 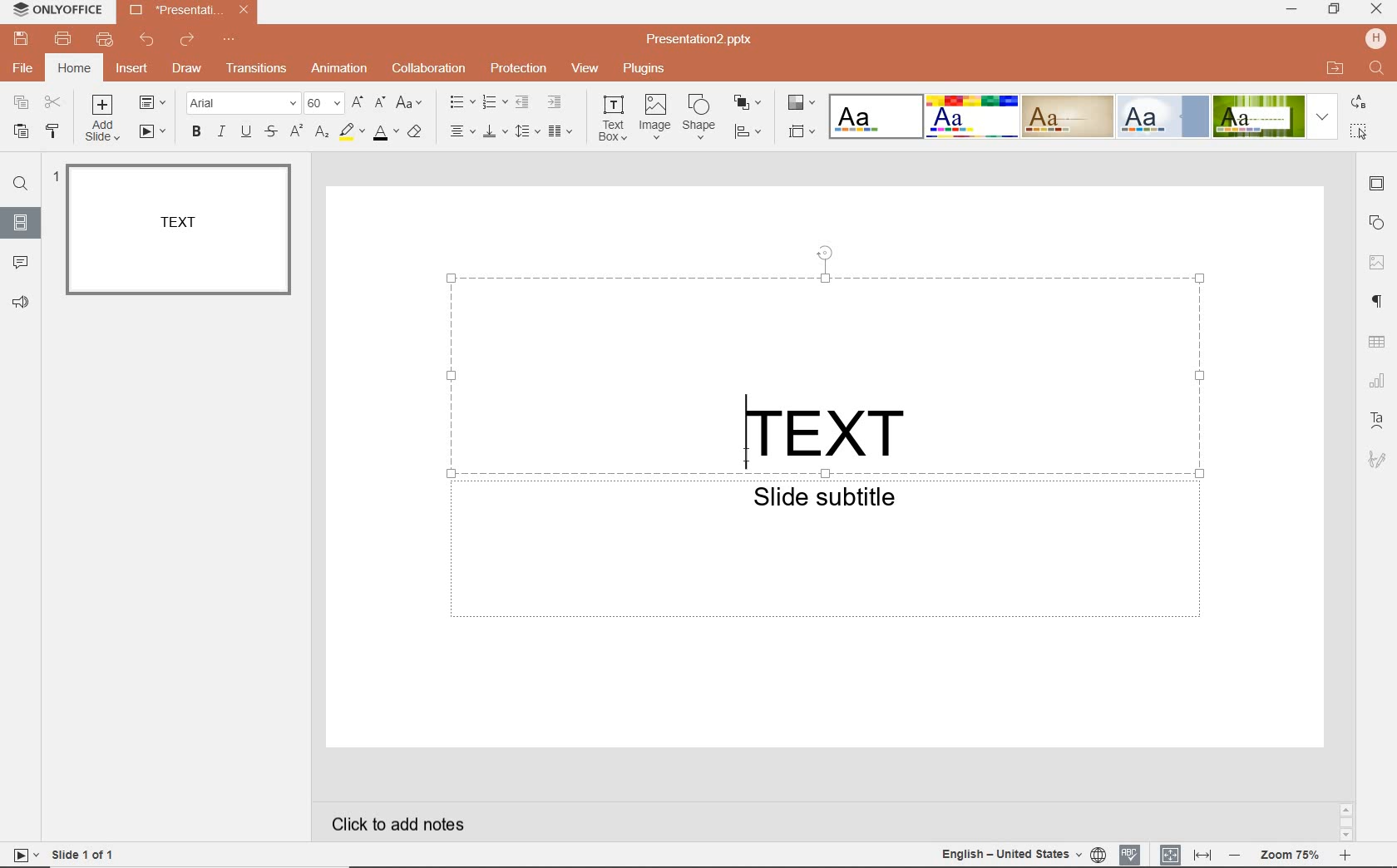 I want to click on SLIDE 1 OF 1, so click(x=83, y=853).